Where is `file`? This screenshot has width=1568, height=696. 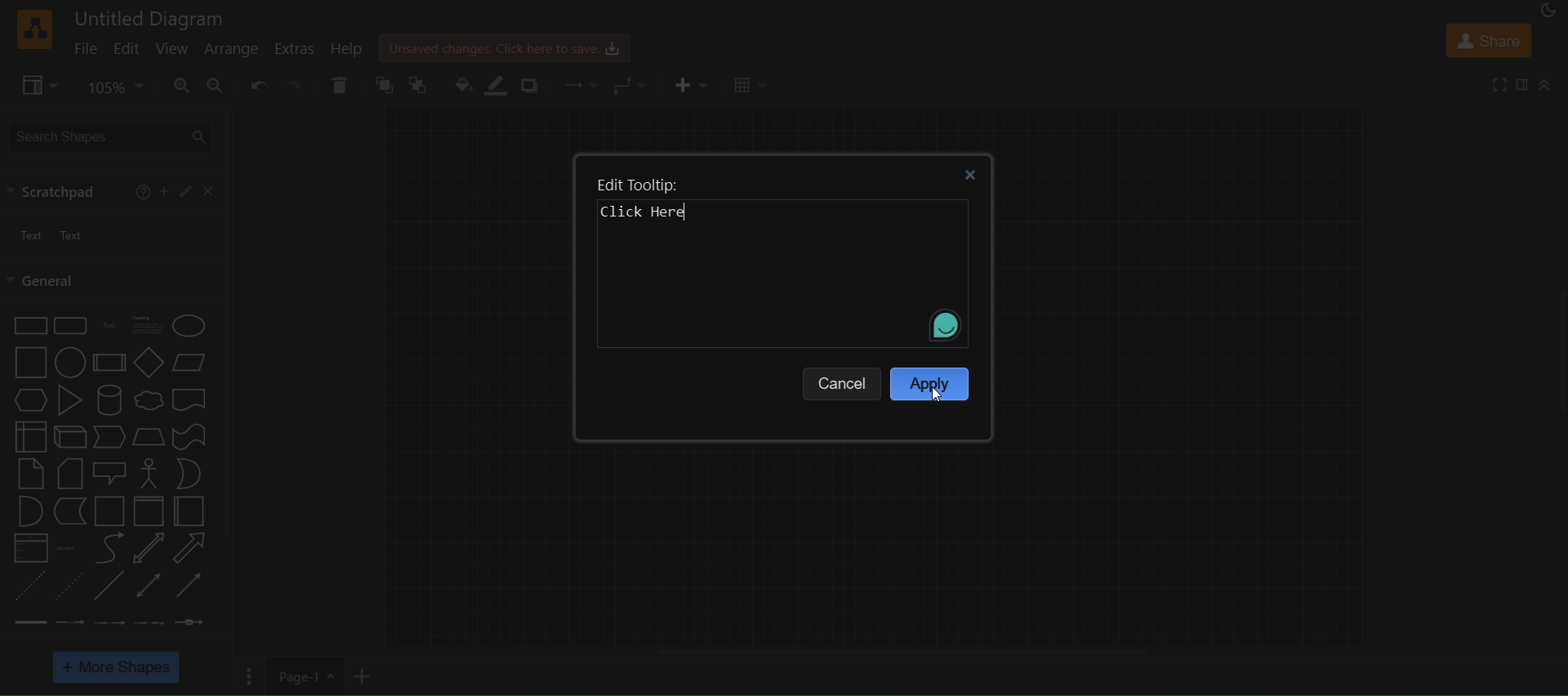 file is located at coordinates (85, 47).